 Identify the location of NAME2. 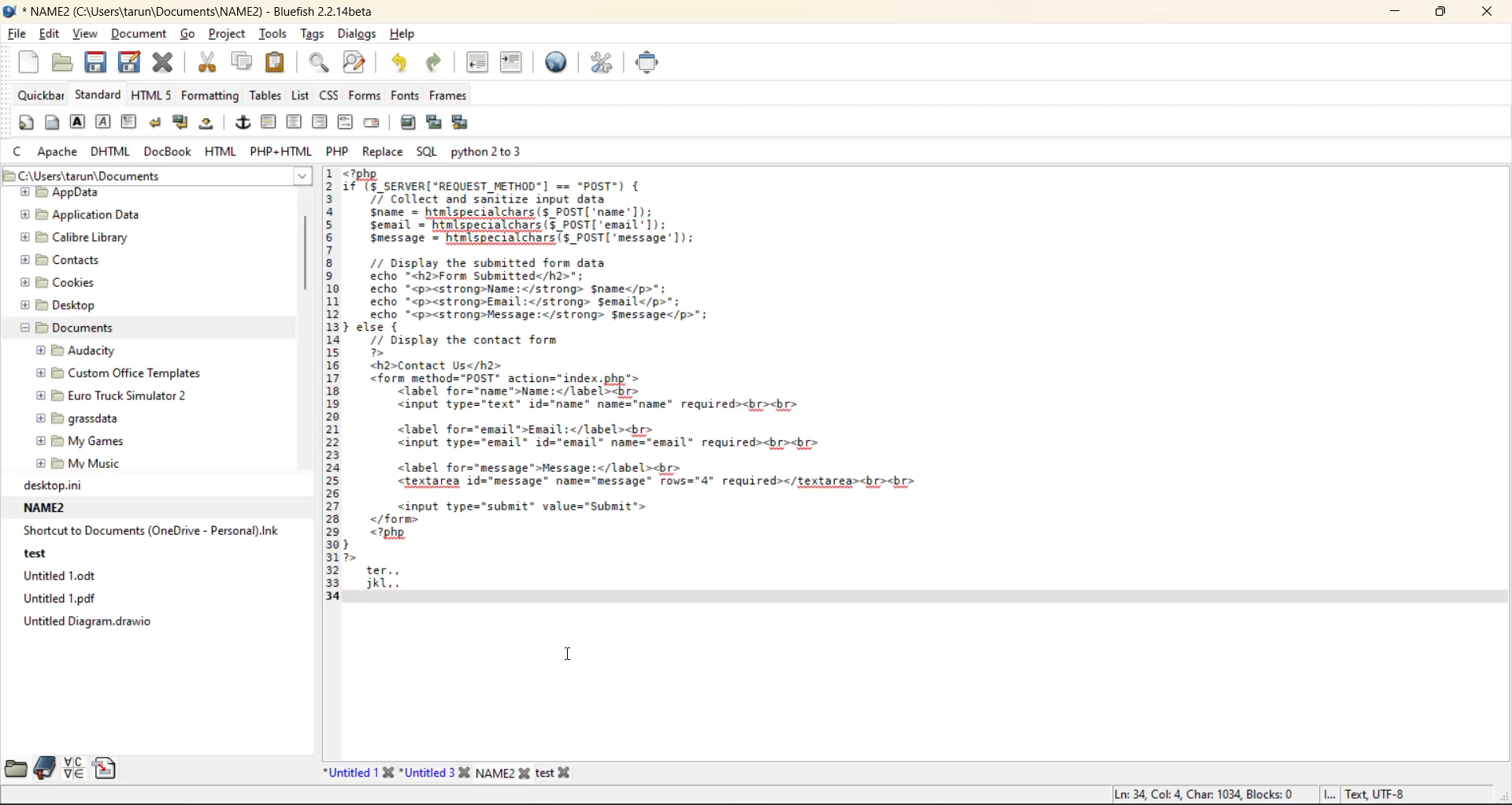
(46, 508).